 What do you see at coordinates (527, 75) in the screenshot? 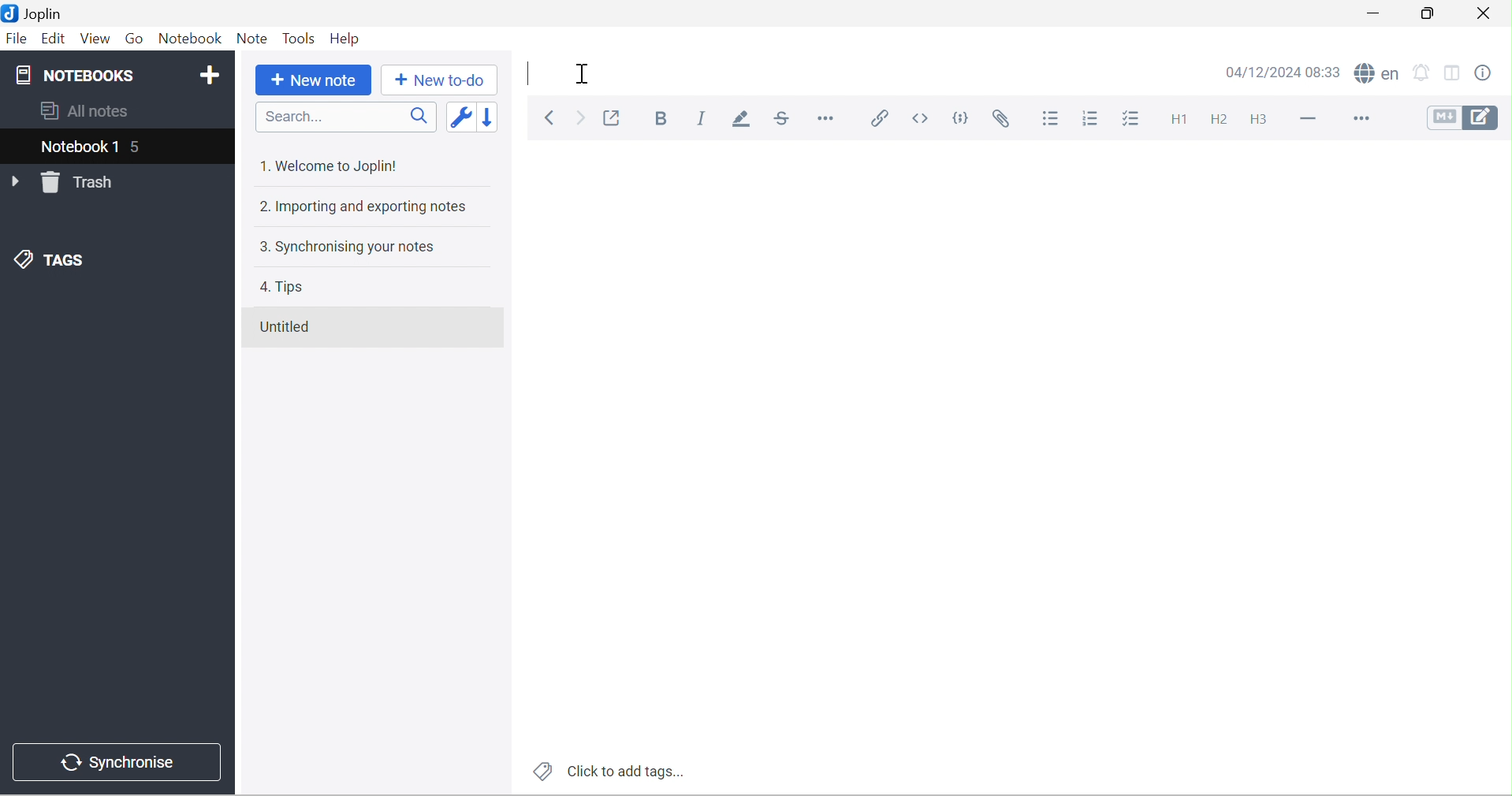
I see `Typing cursor` at bounding box center [527, 75].